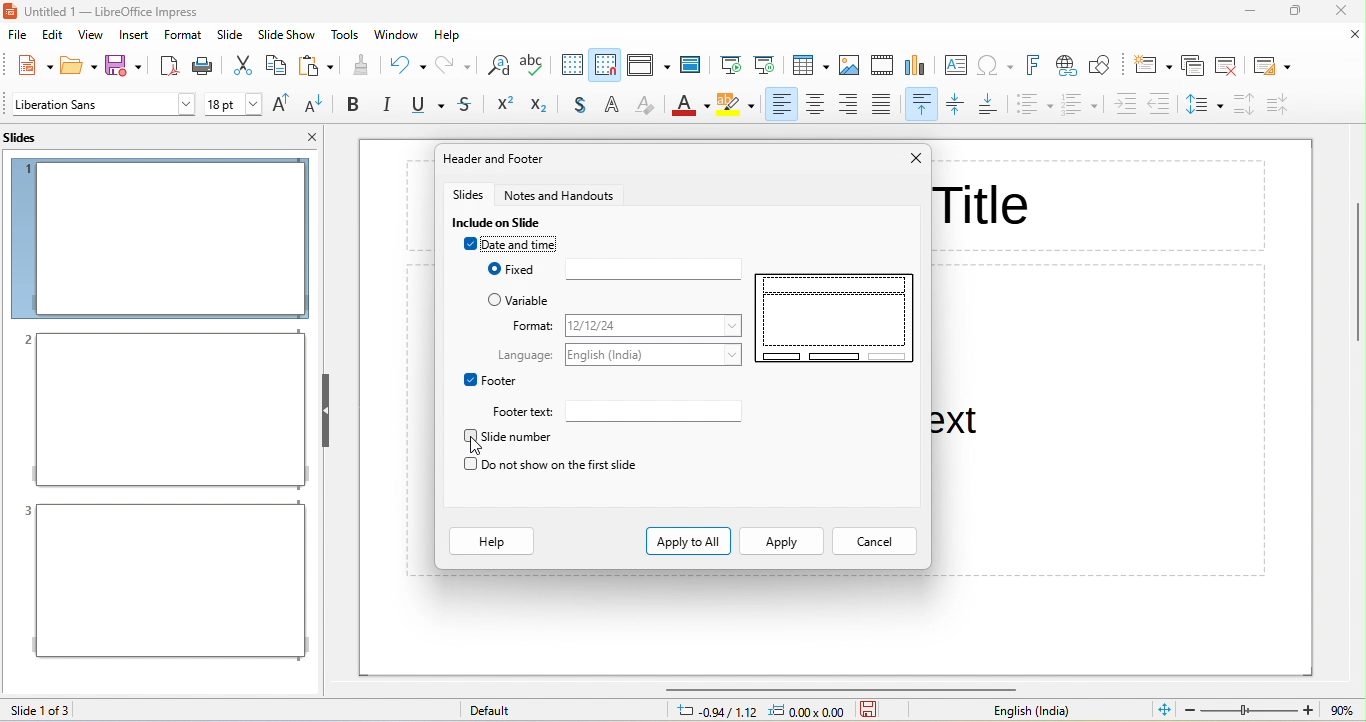 The height and width of the screenshot is (722, 1366). I want to click on edit, so click(56, 37).